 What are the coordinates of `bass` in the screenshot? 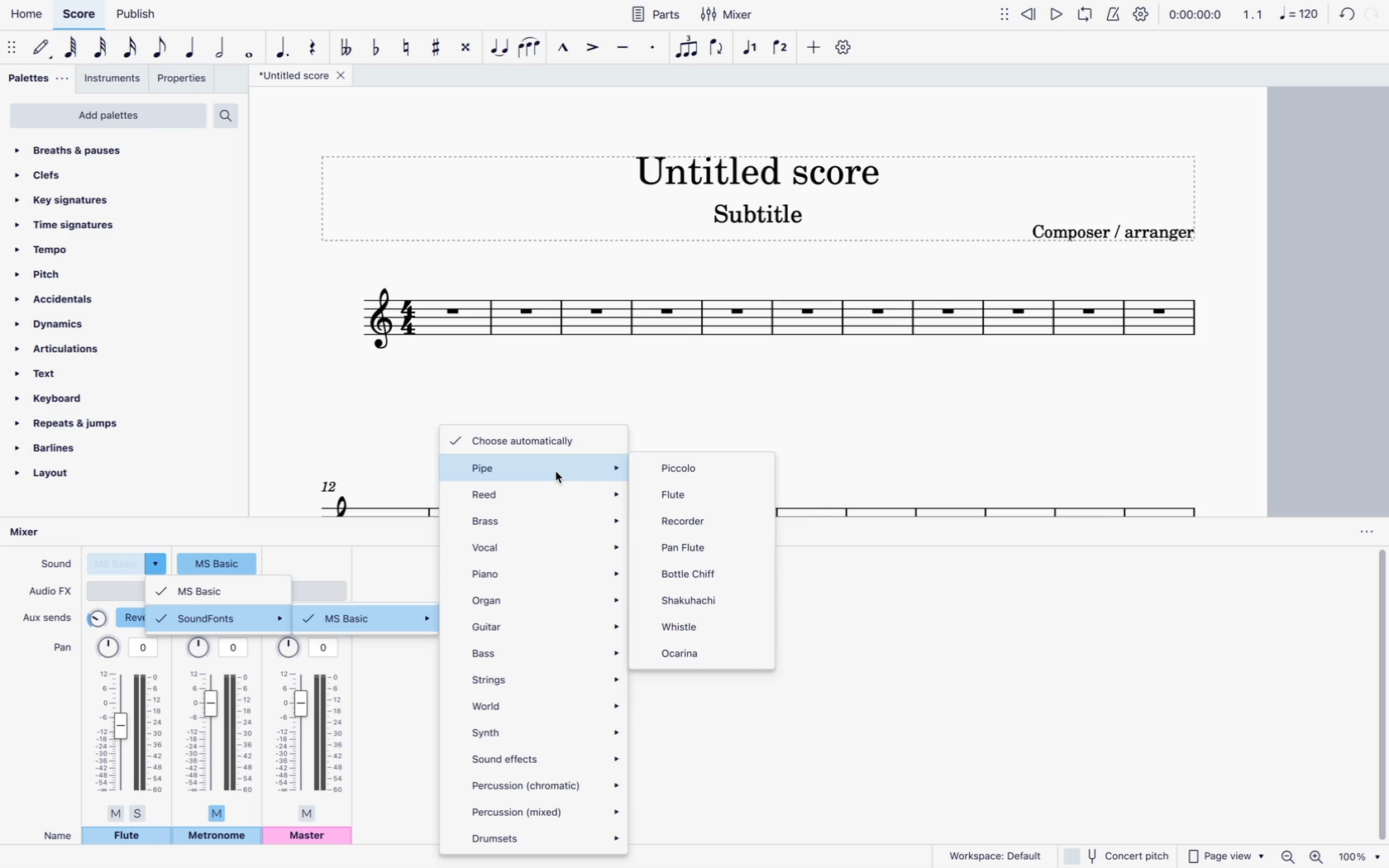 It's located at (544, 651).